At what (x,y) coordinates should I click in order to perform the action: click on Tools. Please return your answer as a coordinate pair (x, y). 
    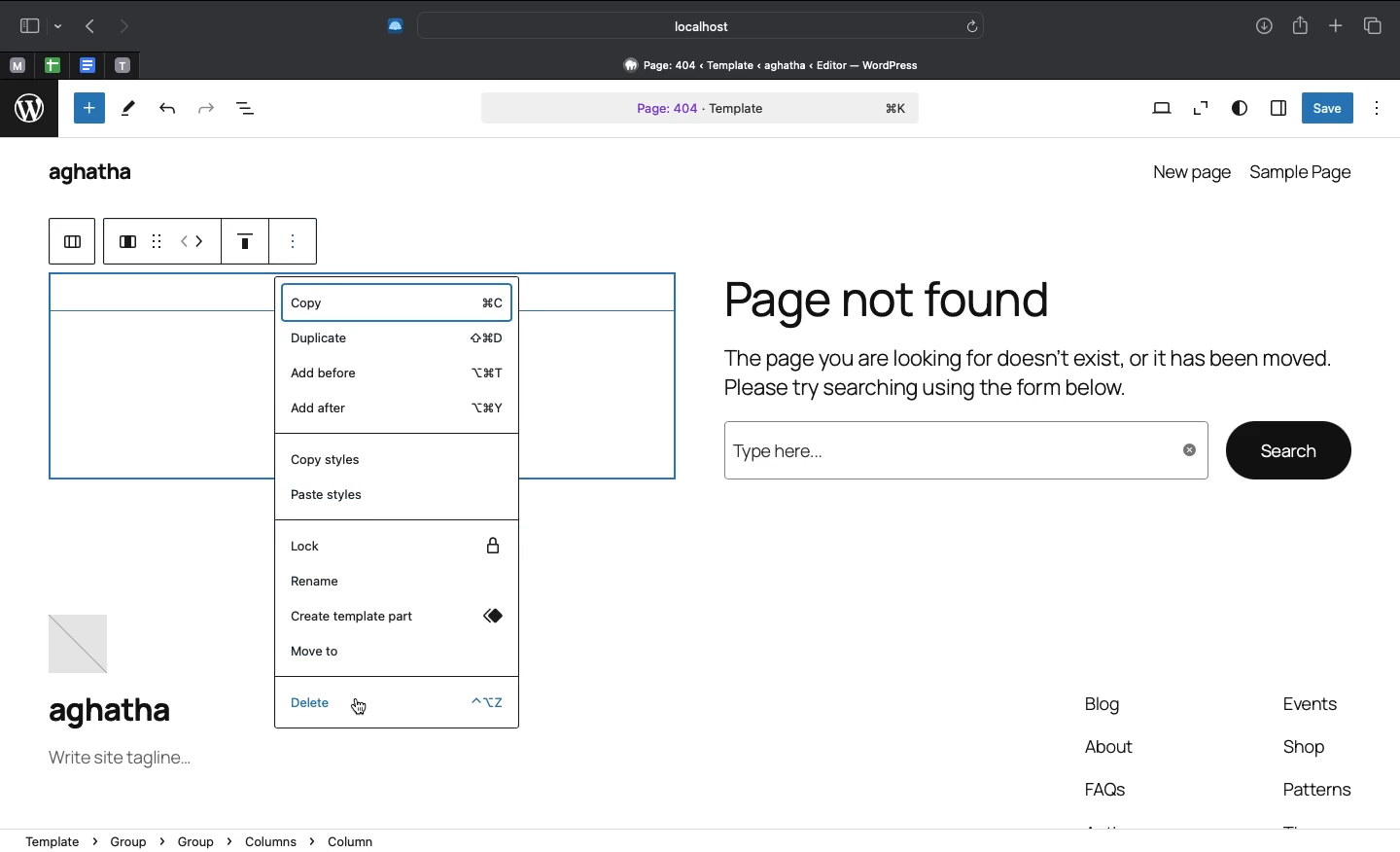
    Looking at the image, I should click on (127, 109).